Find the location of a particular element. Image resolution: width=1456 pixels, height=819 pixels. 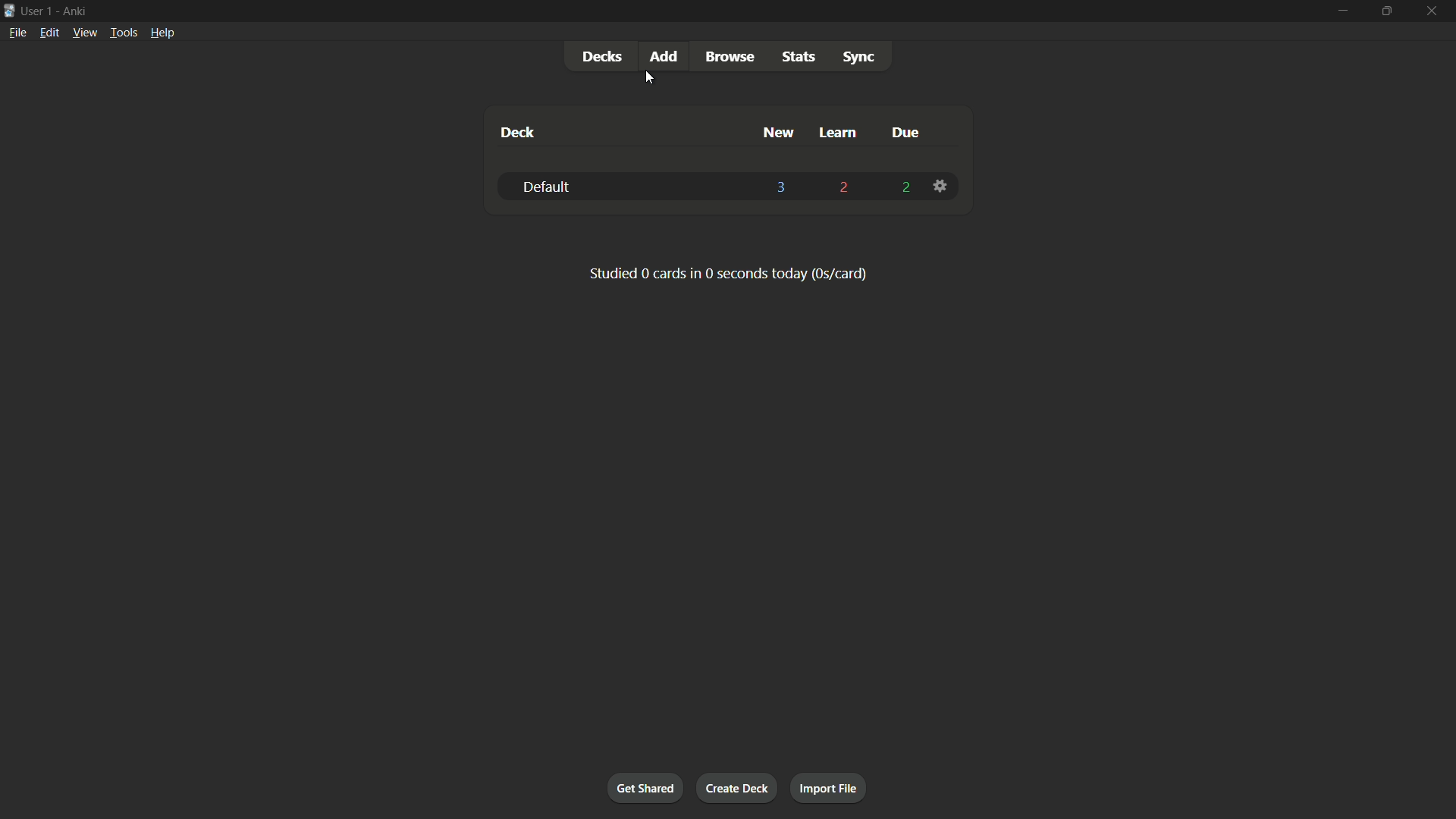

view menu is located at coordinates (83, 31).